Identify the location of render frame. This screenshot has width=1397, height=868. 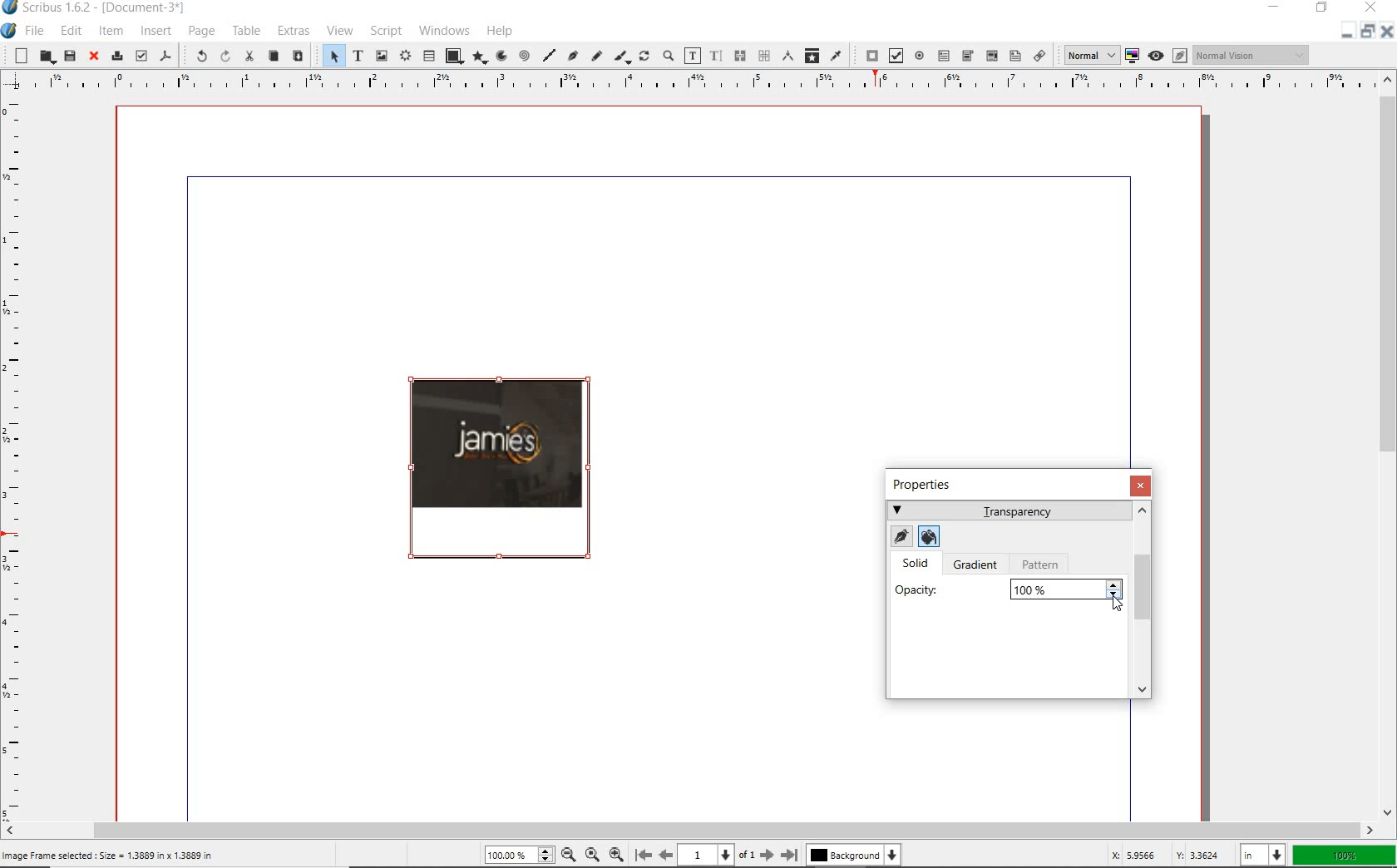
(405, 57).